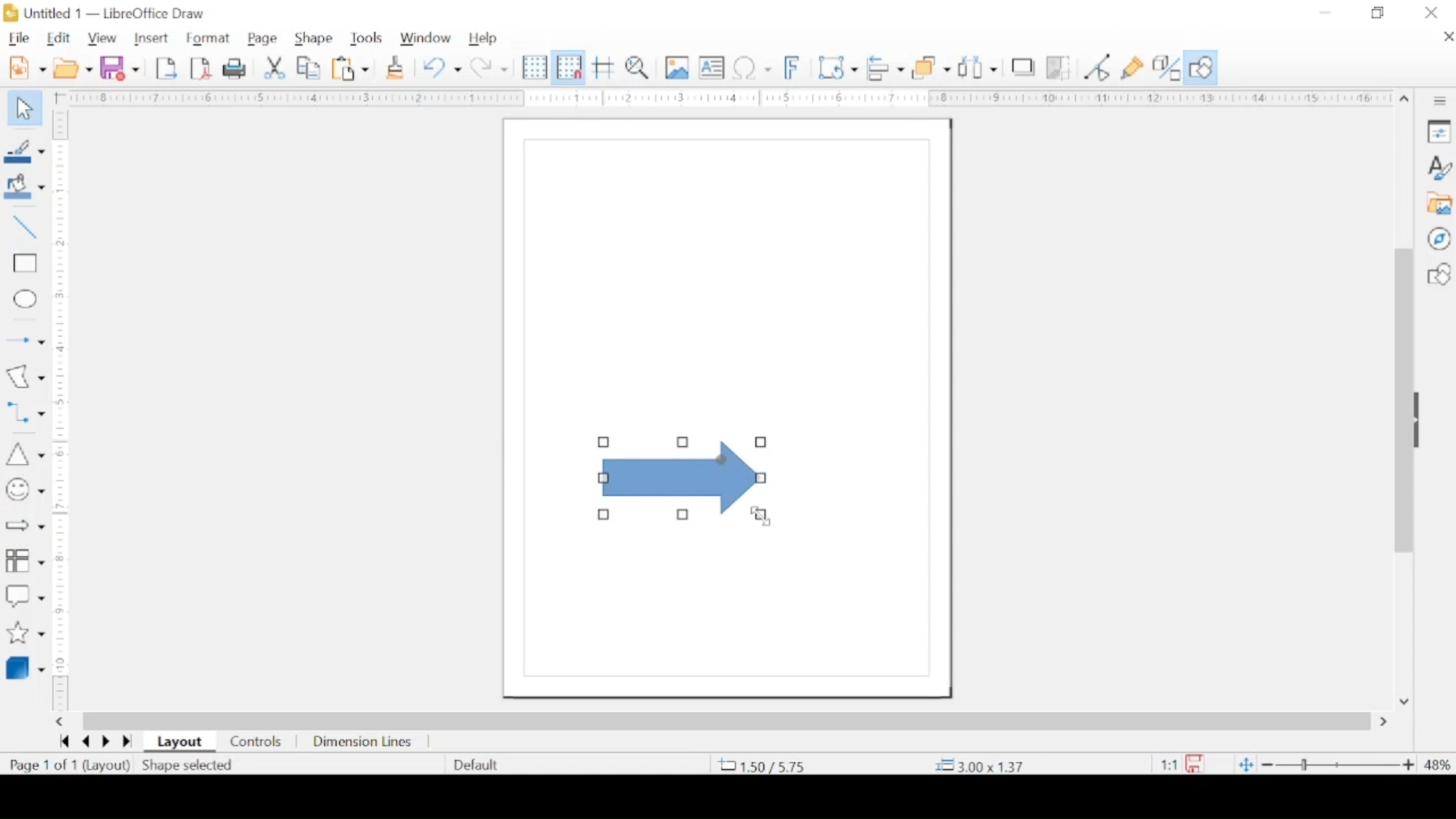 The width and height of the screenshot is (1456, 819). I want to click on untitled 1 - libreoffice, so click(108, 13).